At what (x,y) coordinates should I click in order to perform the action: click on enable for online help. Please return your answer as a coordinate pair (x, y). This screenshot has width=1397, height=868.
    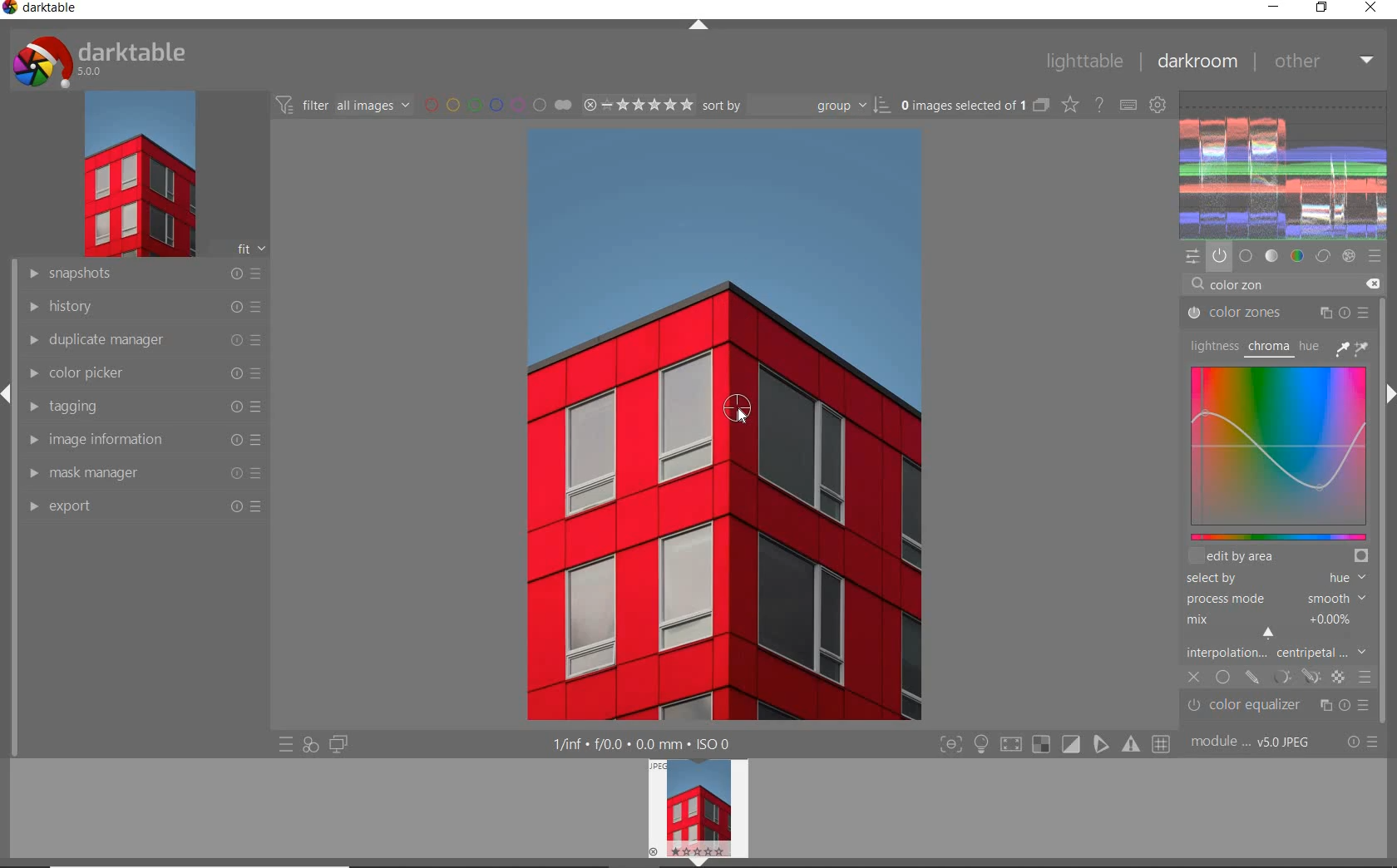
    Looking at the image, I should click on (1100, 104).